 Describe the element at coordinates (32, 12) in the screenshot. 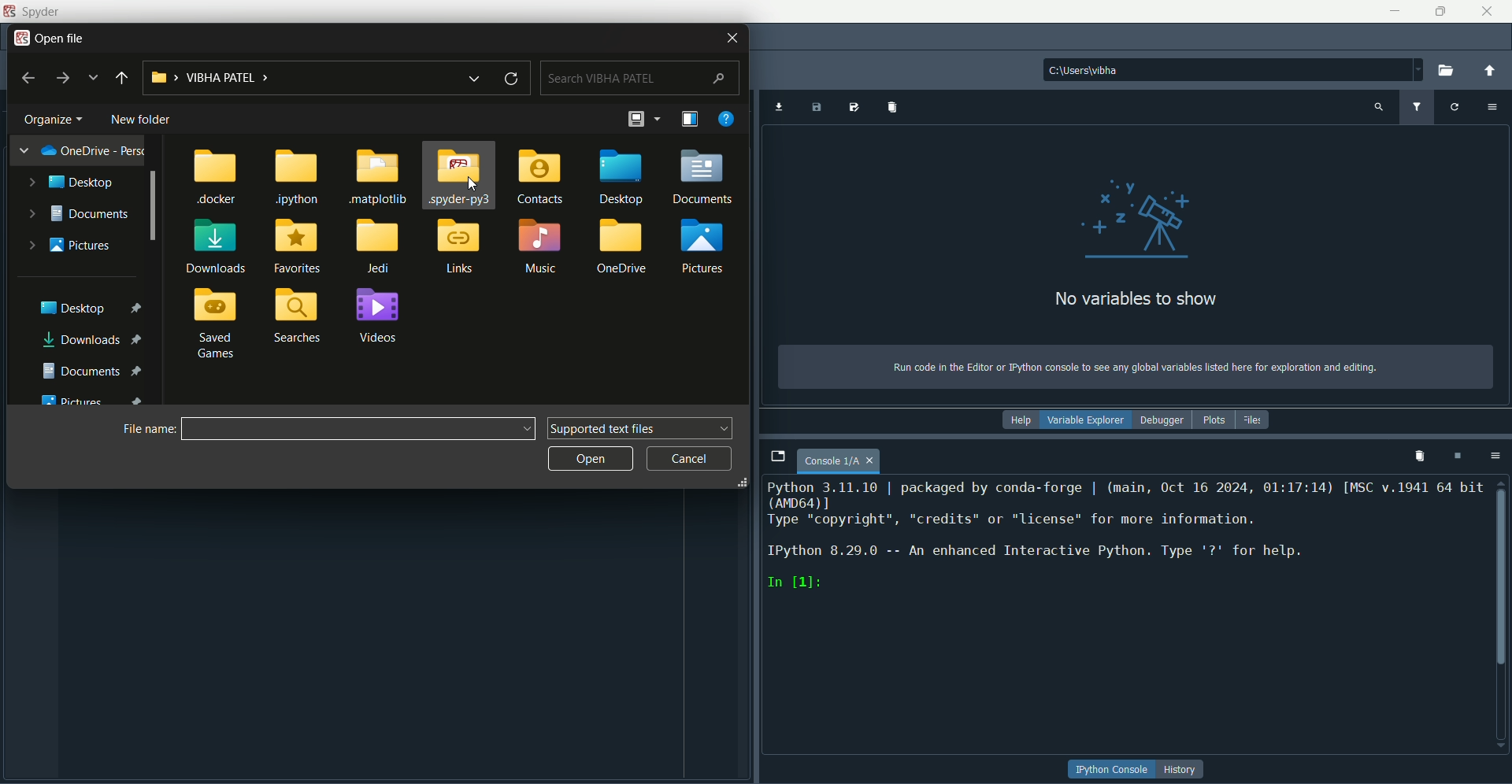

I see `name and logo` at that location.